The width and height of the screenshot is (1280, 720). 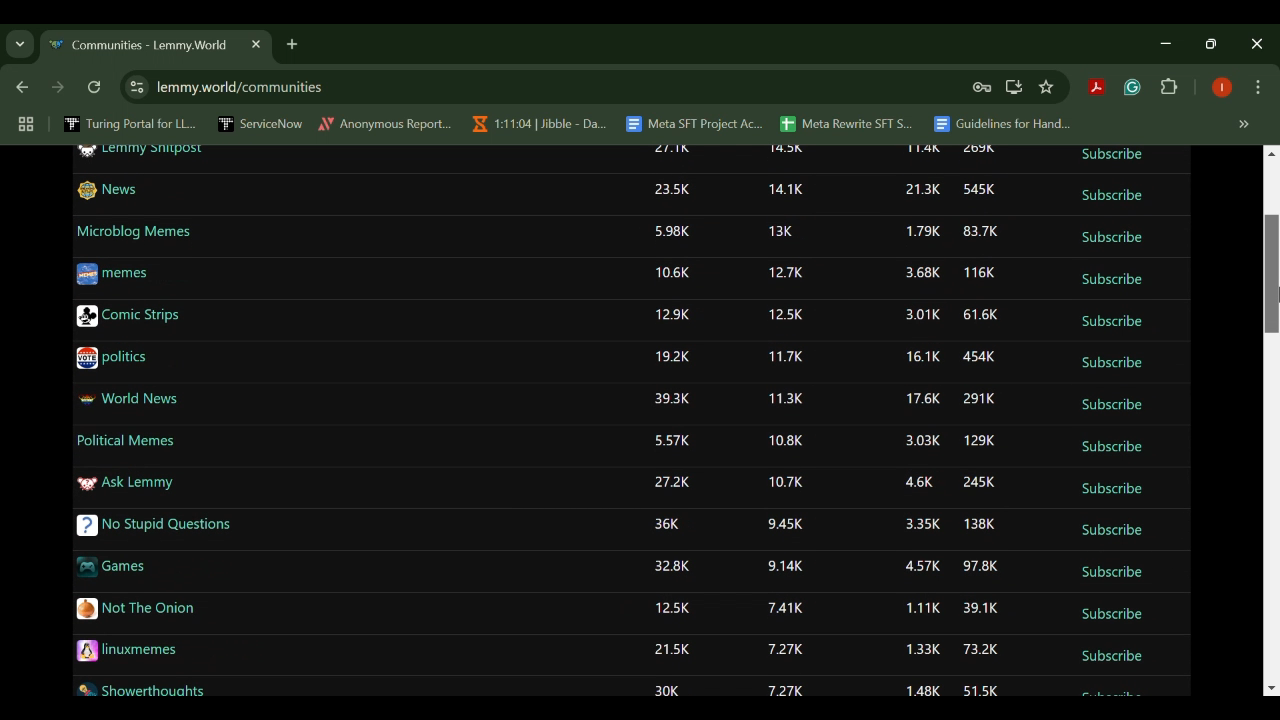 What do you see at coordinates (139, 692) in the screenshot?
I see `Showerthoughts` at bounding box center [139, 692].